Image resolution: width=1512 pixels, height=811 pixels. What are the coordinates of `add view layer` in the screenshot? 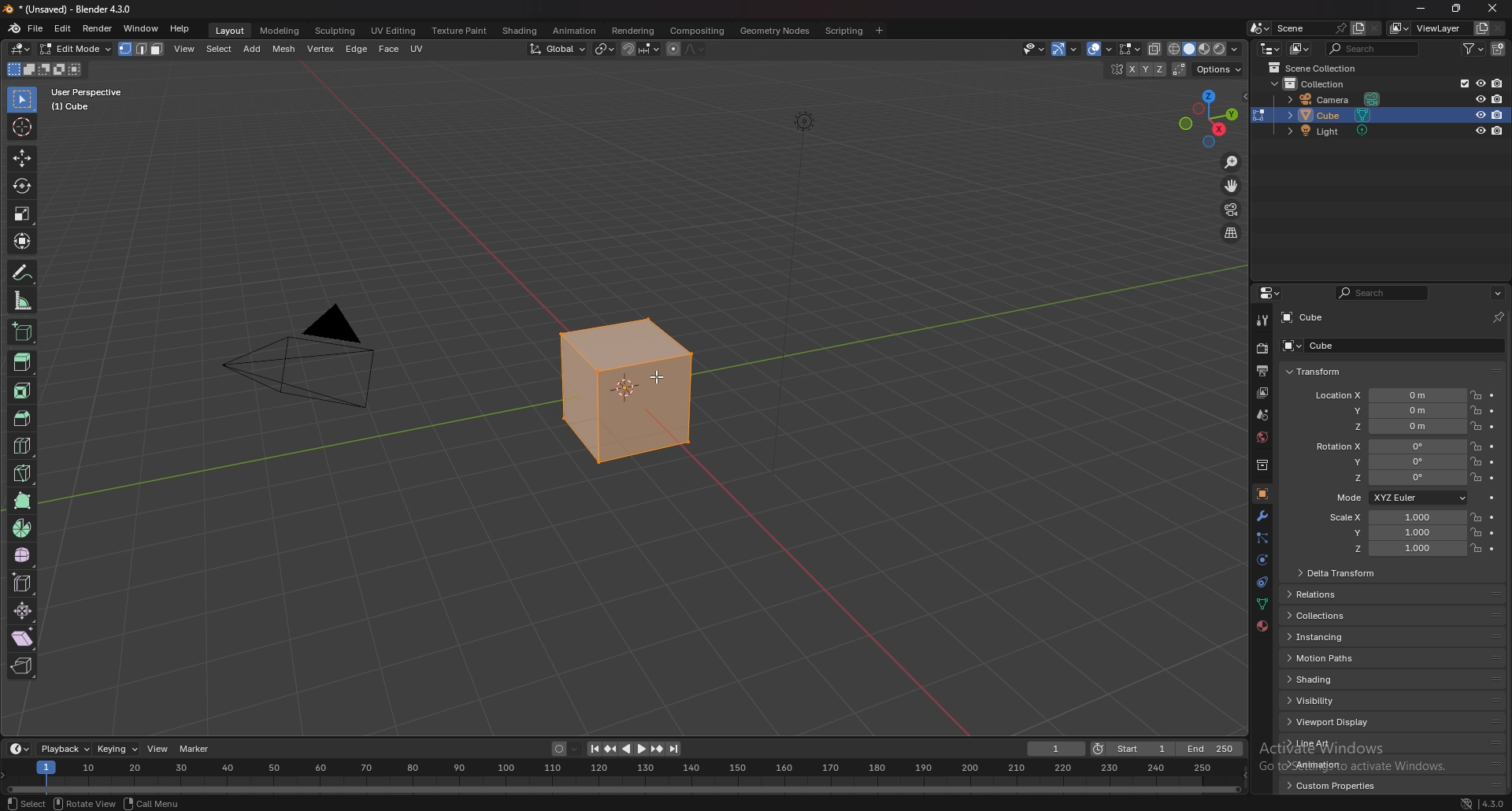 It's located at (1481, 28).